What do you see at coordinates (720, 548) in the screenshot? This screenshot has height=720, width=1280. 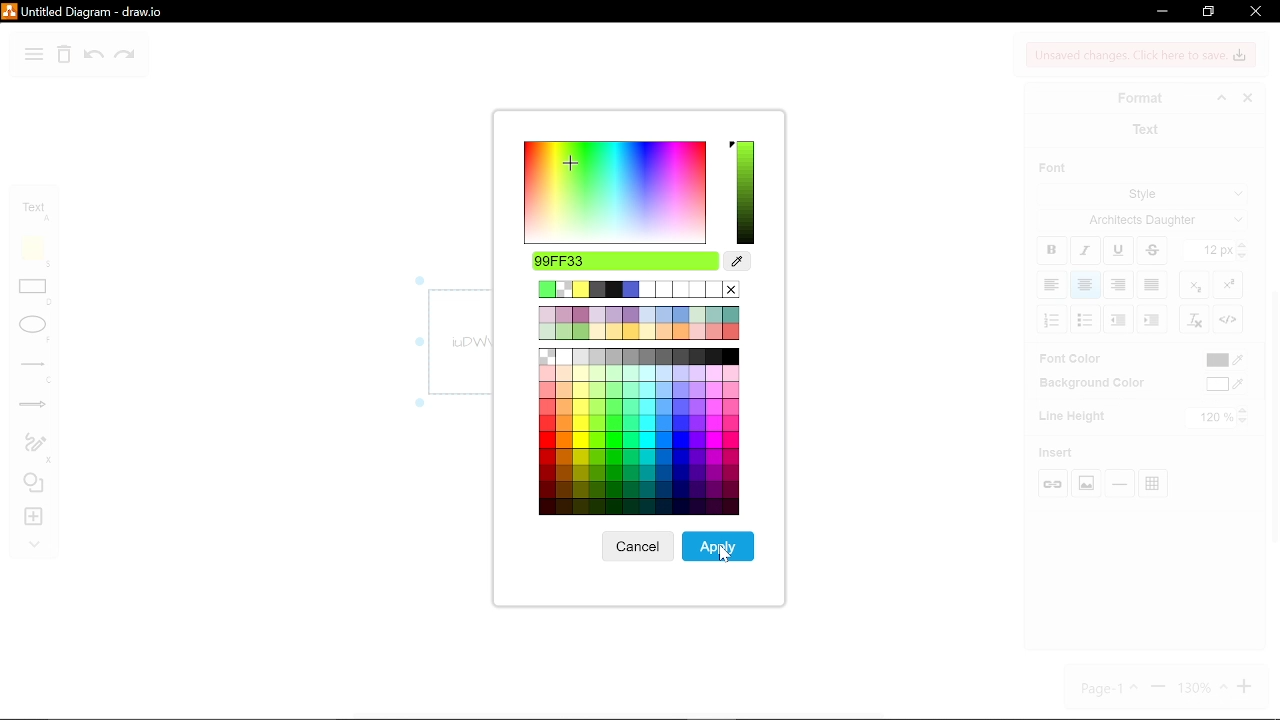 I see `apply` at bounding box center [720, 548].